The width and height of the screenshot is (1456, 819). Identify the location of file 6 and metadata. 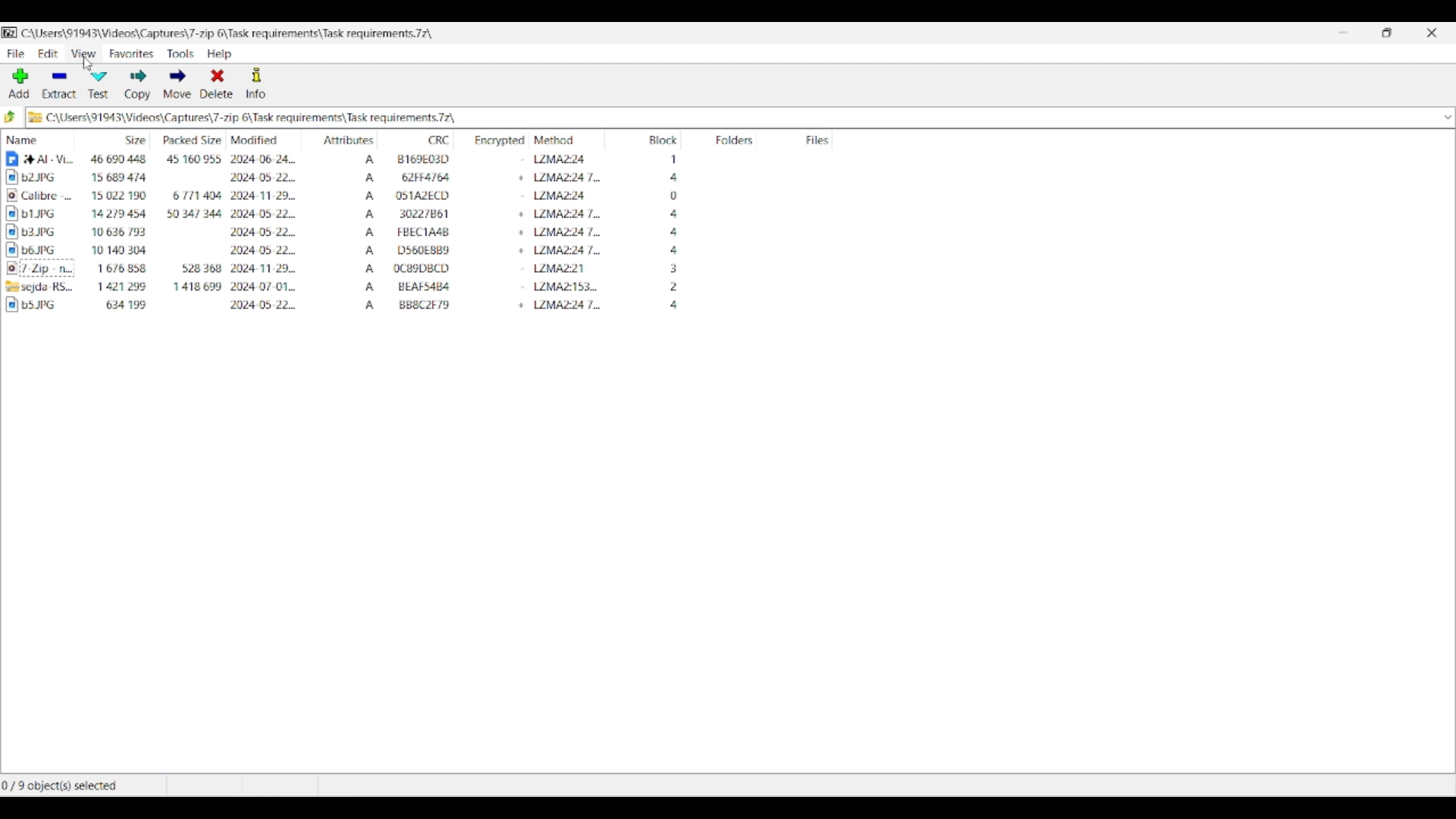
(420, 253).